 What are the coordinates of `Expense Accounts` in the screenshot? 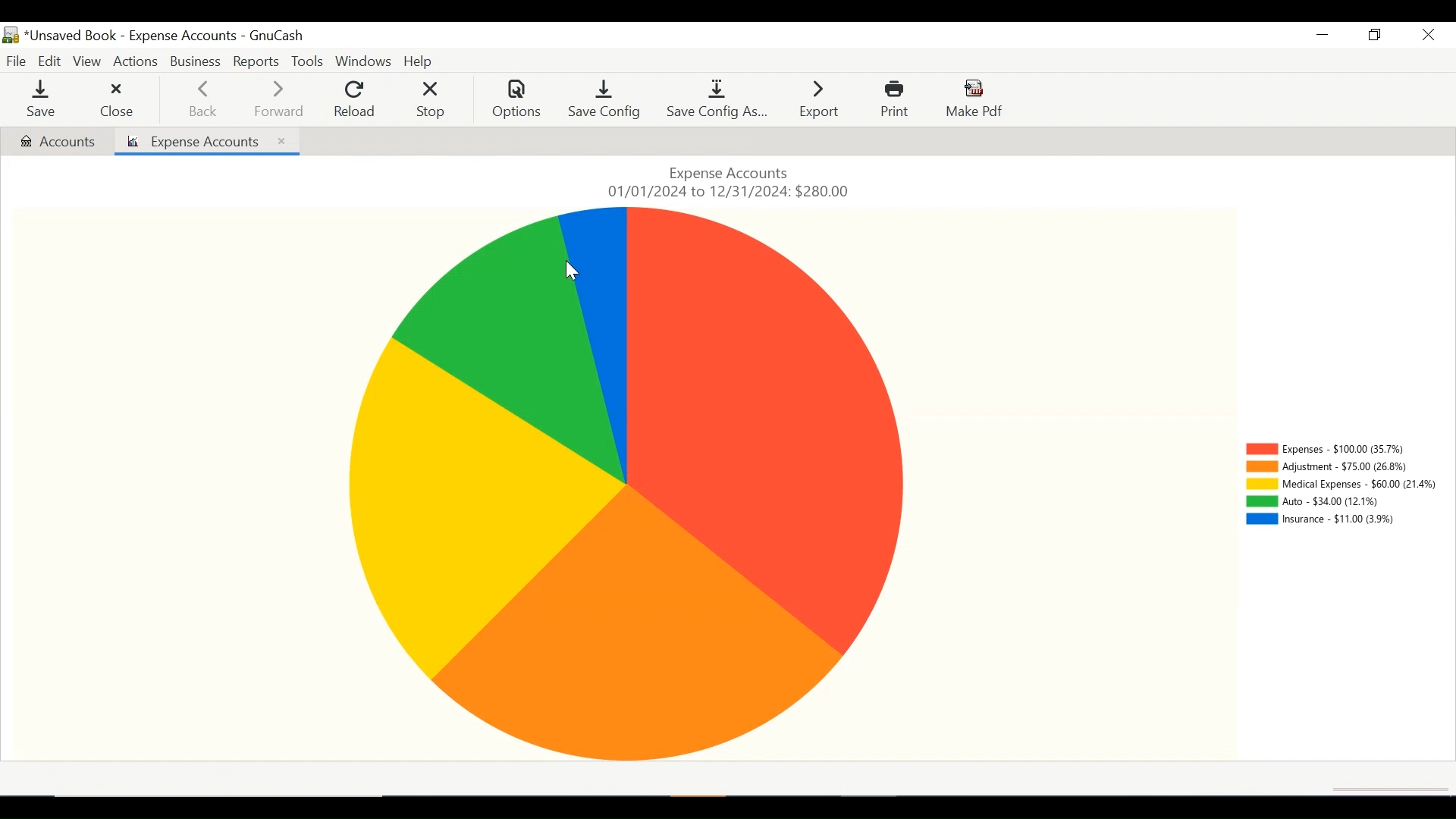 It's located at (206, 139).